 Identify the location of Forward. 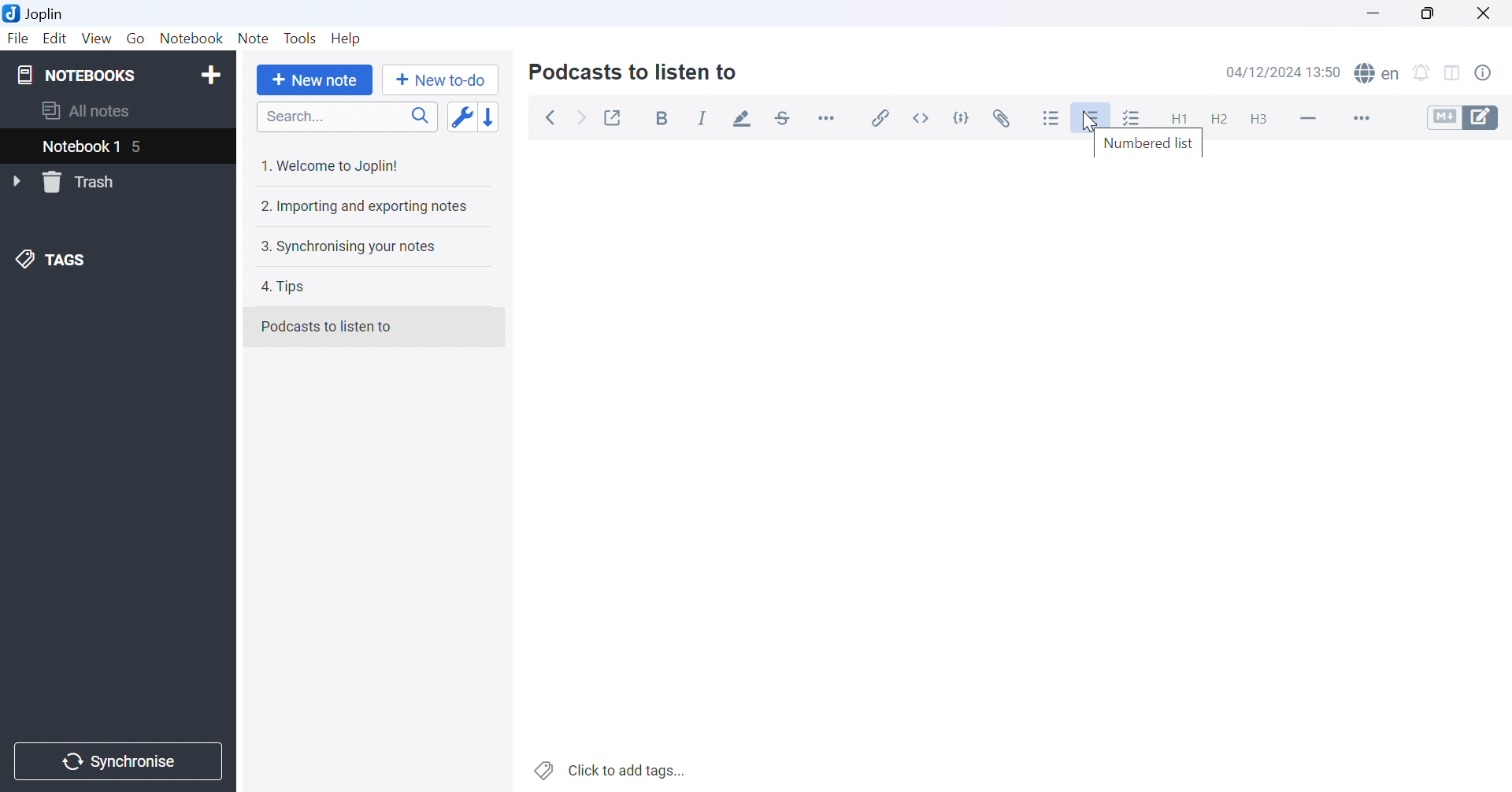
(584, 120).